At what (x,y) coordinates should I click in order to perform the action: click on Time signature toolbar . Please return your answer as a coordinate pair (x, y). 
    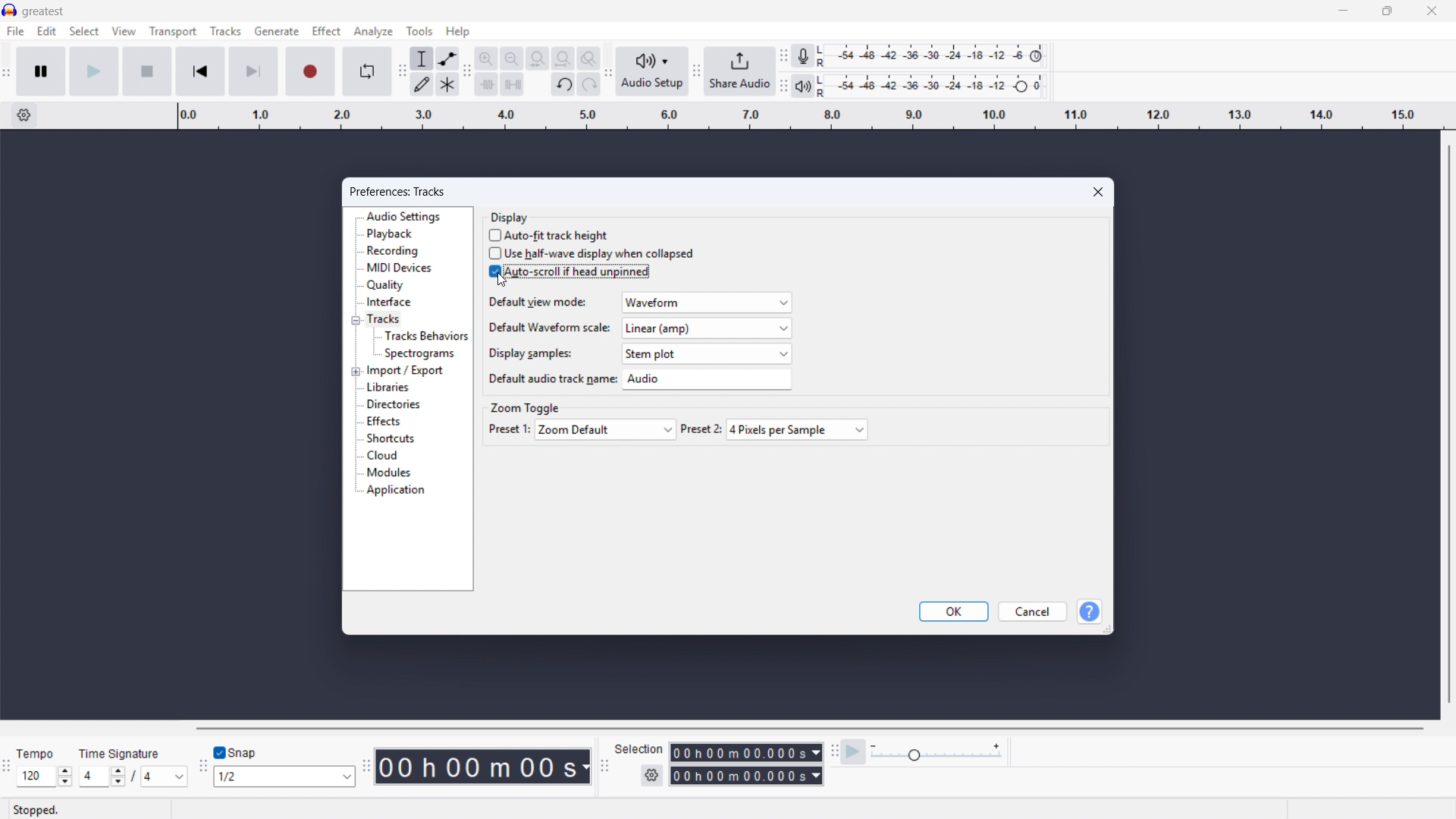
    Looking at the image, I should click on (7, 772).